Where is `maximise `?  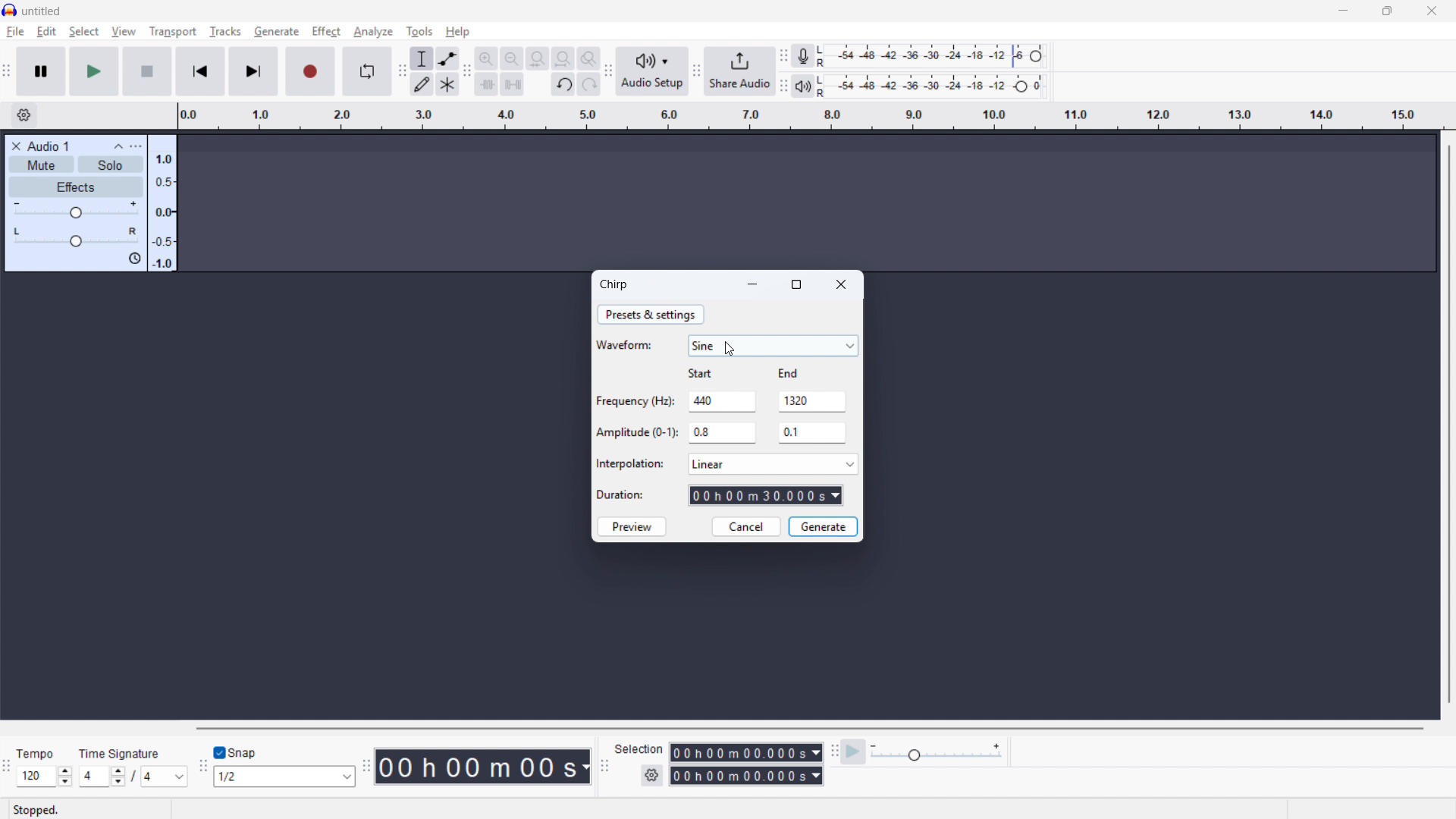 maximise  is located at coordinates (1389, 11).